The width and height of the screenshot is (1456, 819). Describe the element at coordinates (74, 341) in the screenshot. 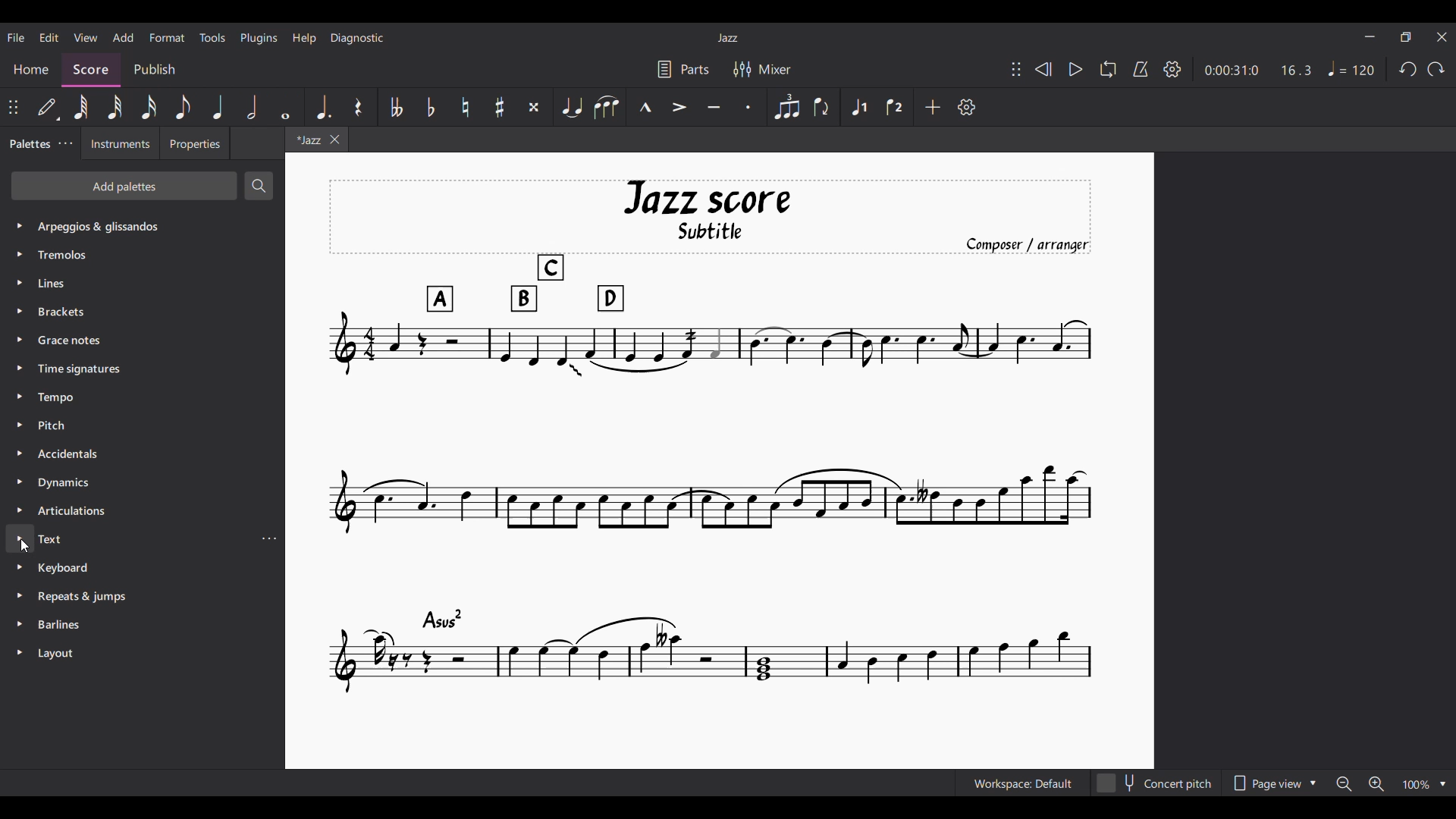

I see `` at that location.